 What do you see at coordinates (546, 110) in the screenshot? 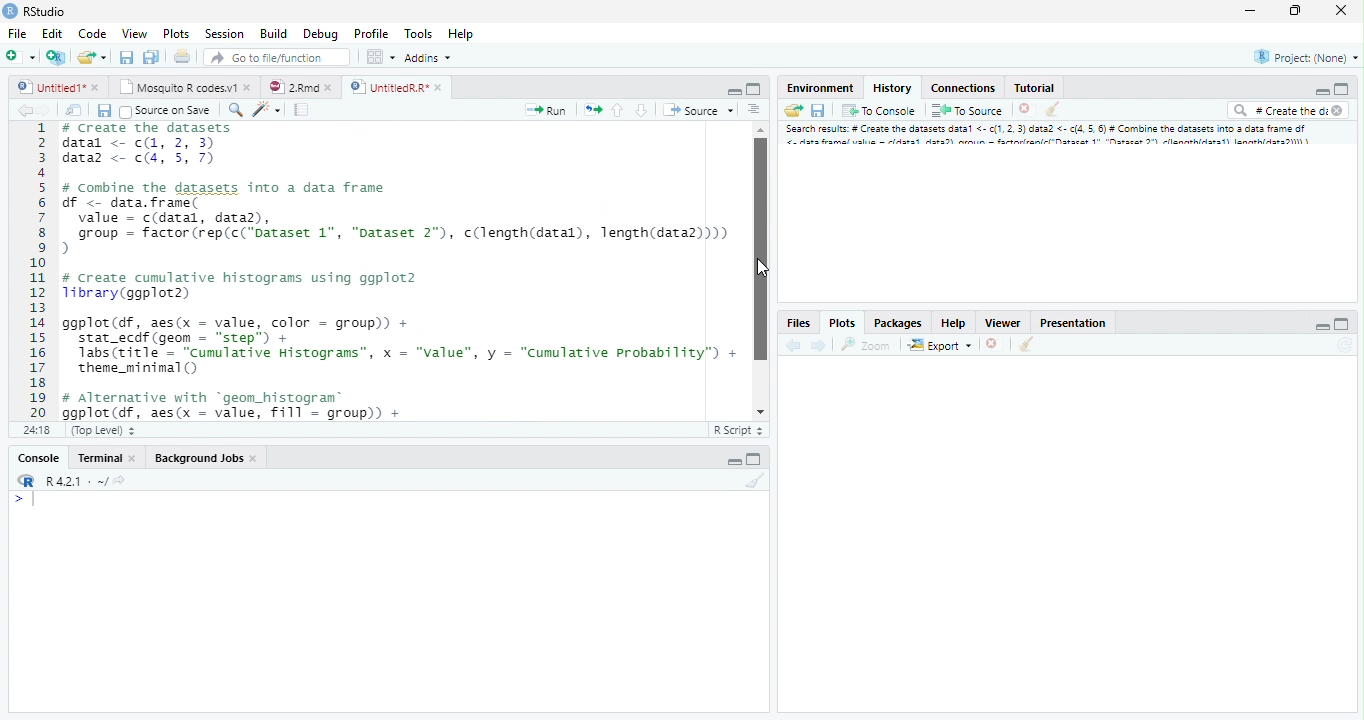
I see `Run` at bounding box center [546, 110].